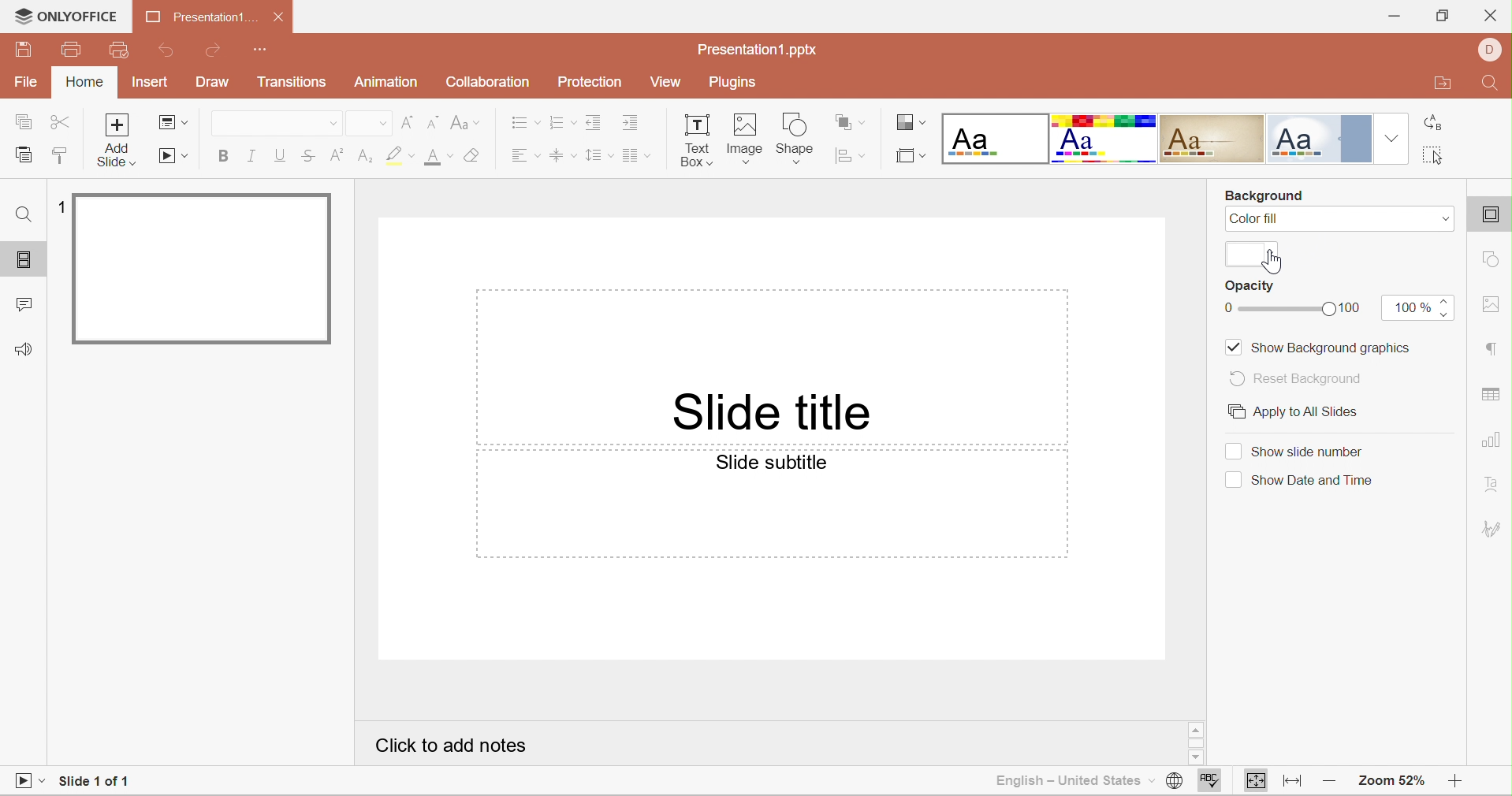  What do you see at coordinates (1495, 262) in the screenshot?
I see `shape settings` at bounding box center [1495, 262].